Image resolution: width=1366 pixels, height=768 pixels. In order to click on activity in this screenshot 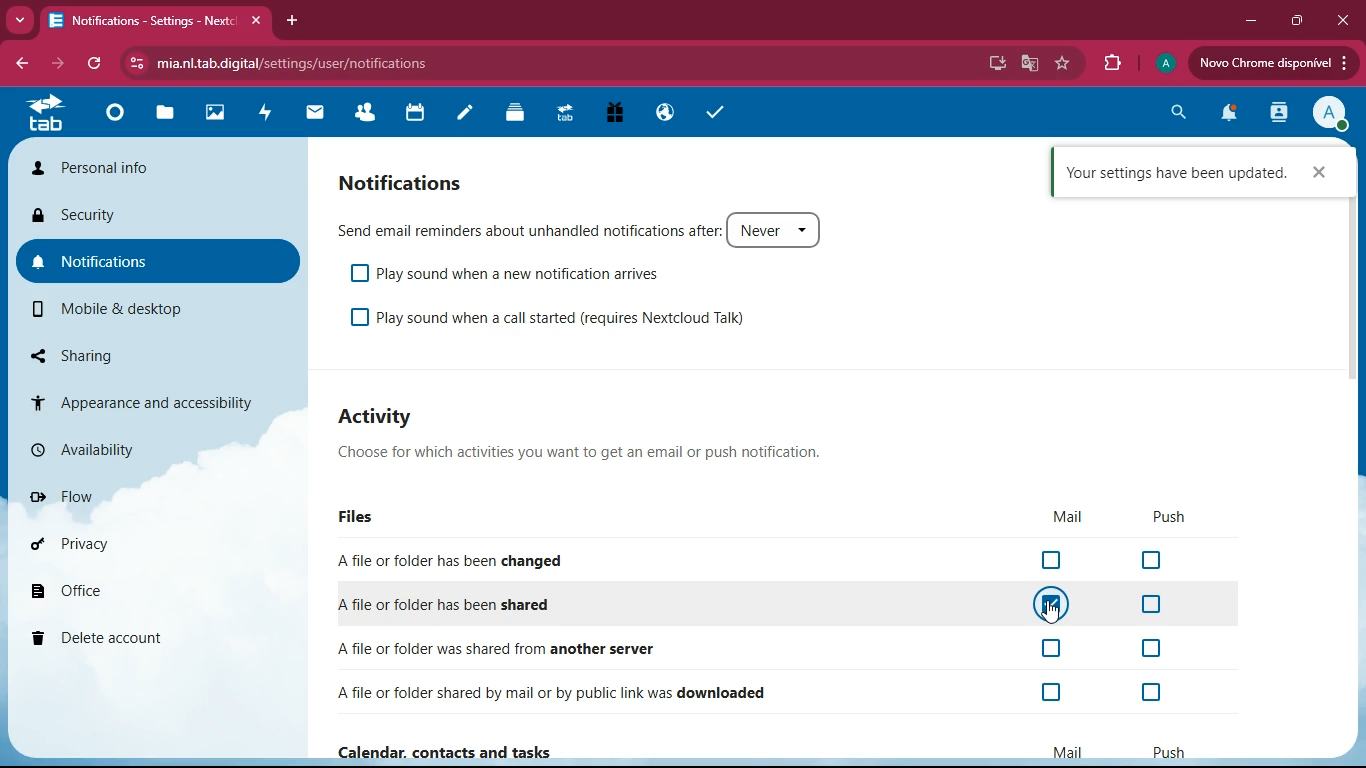, I will do `click(1275, 112)`.